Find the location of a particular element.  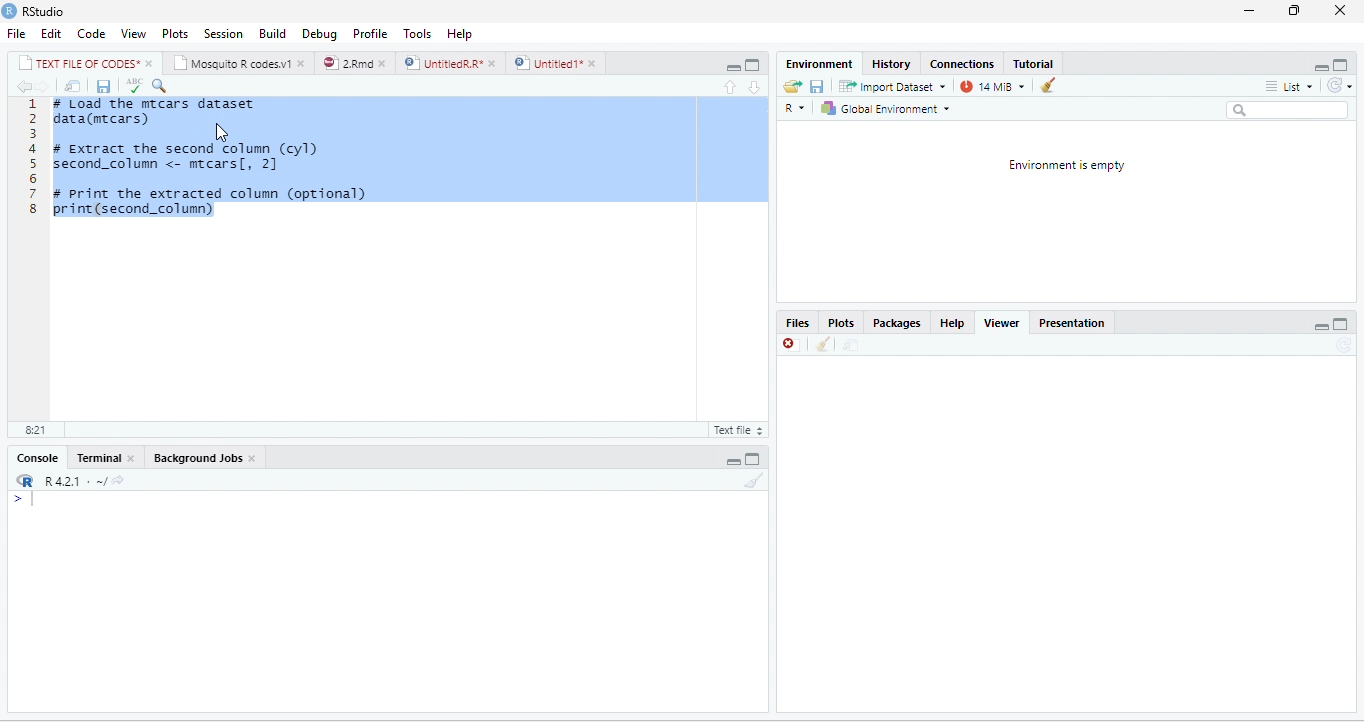

cursor is located at coordinates (221, 132).